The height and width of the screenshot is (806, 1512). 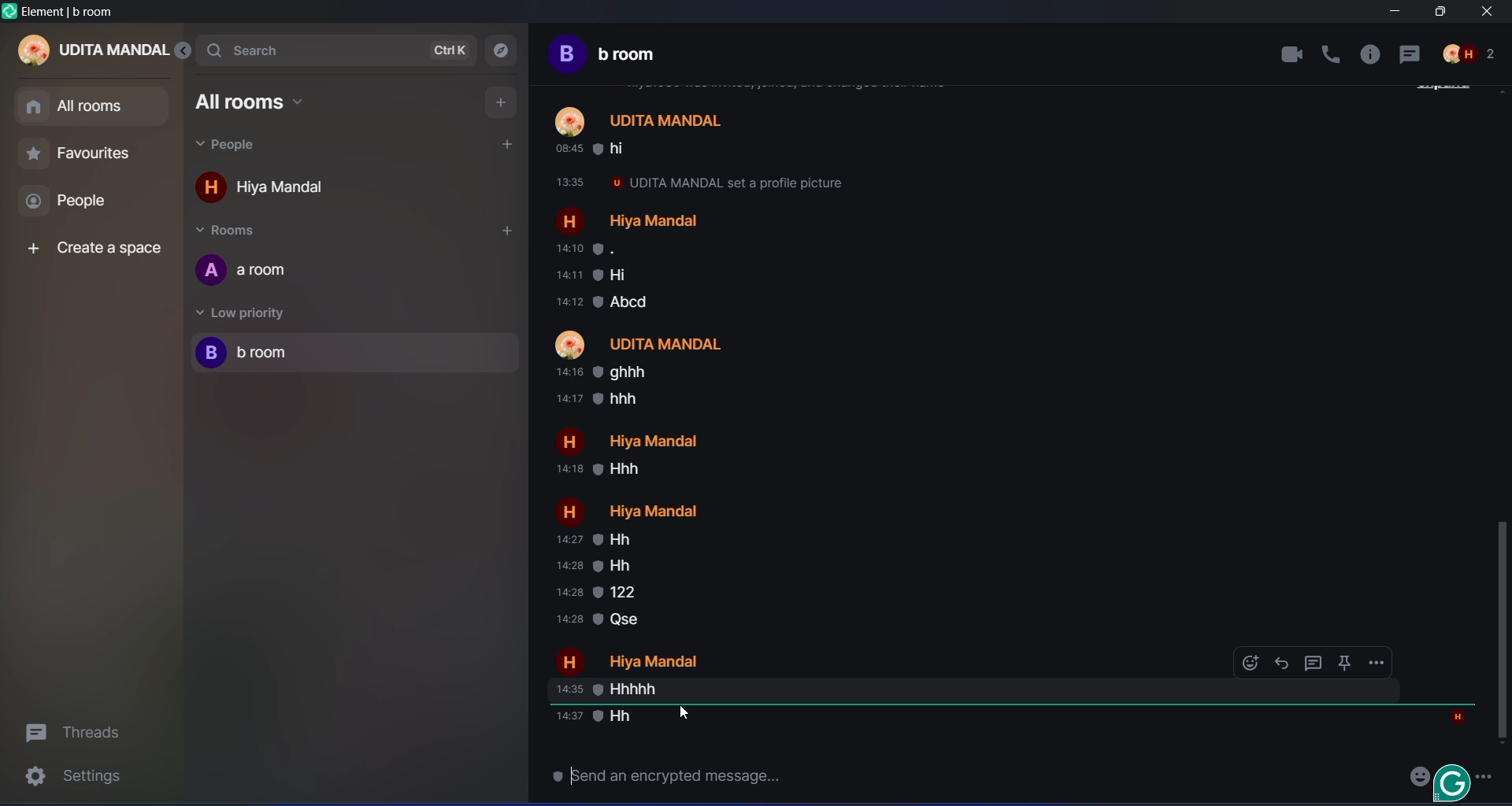 What do you see at coordinates (271, 357) in the screenshot?
I see `b room` at bounding box center [271, 357].